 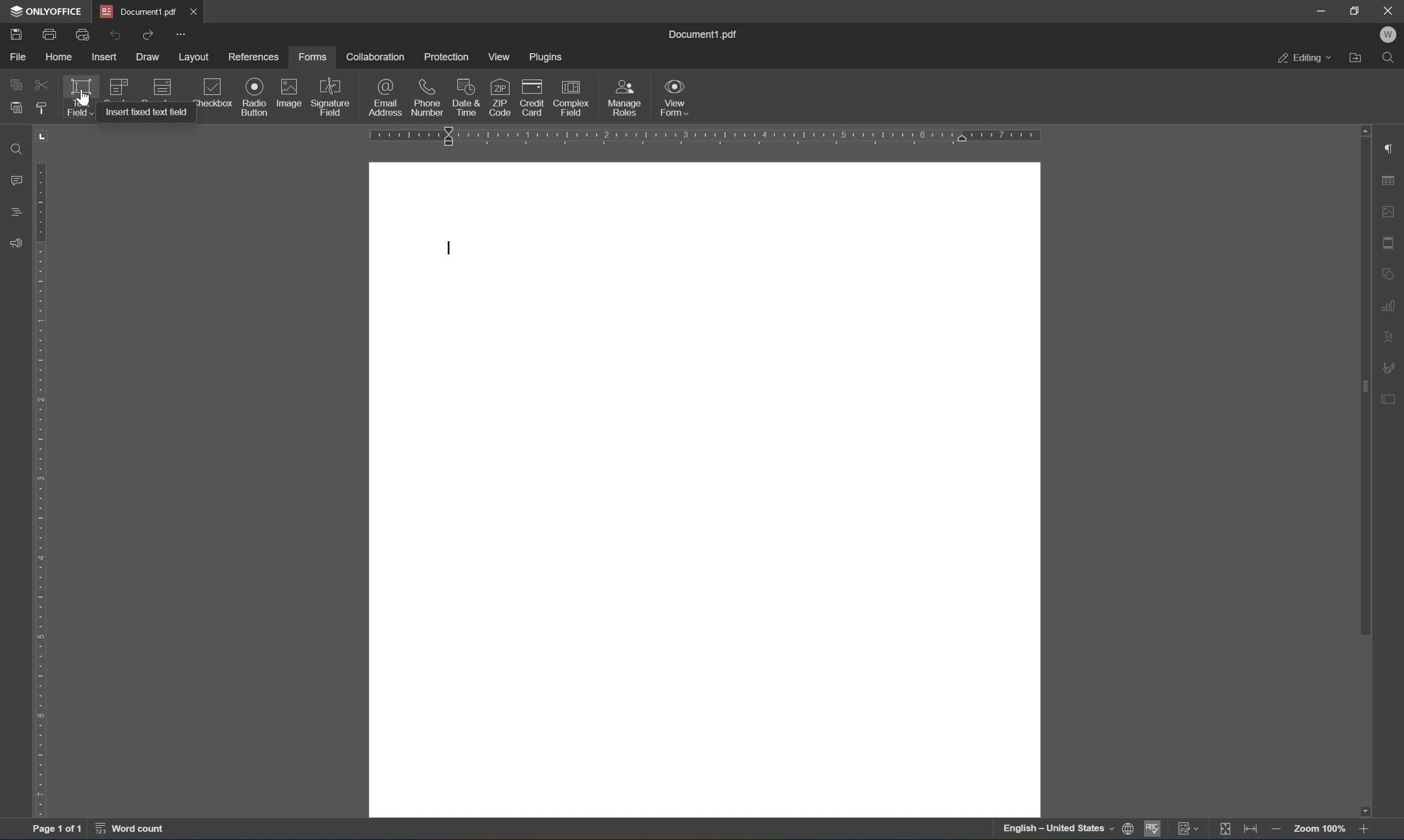 What do you see at coordinates (1226, 830) in the screenshot?
I see `fit to slide` at bounding box center [1226, 830].